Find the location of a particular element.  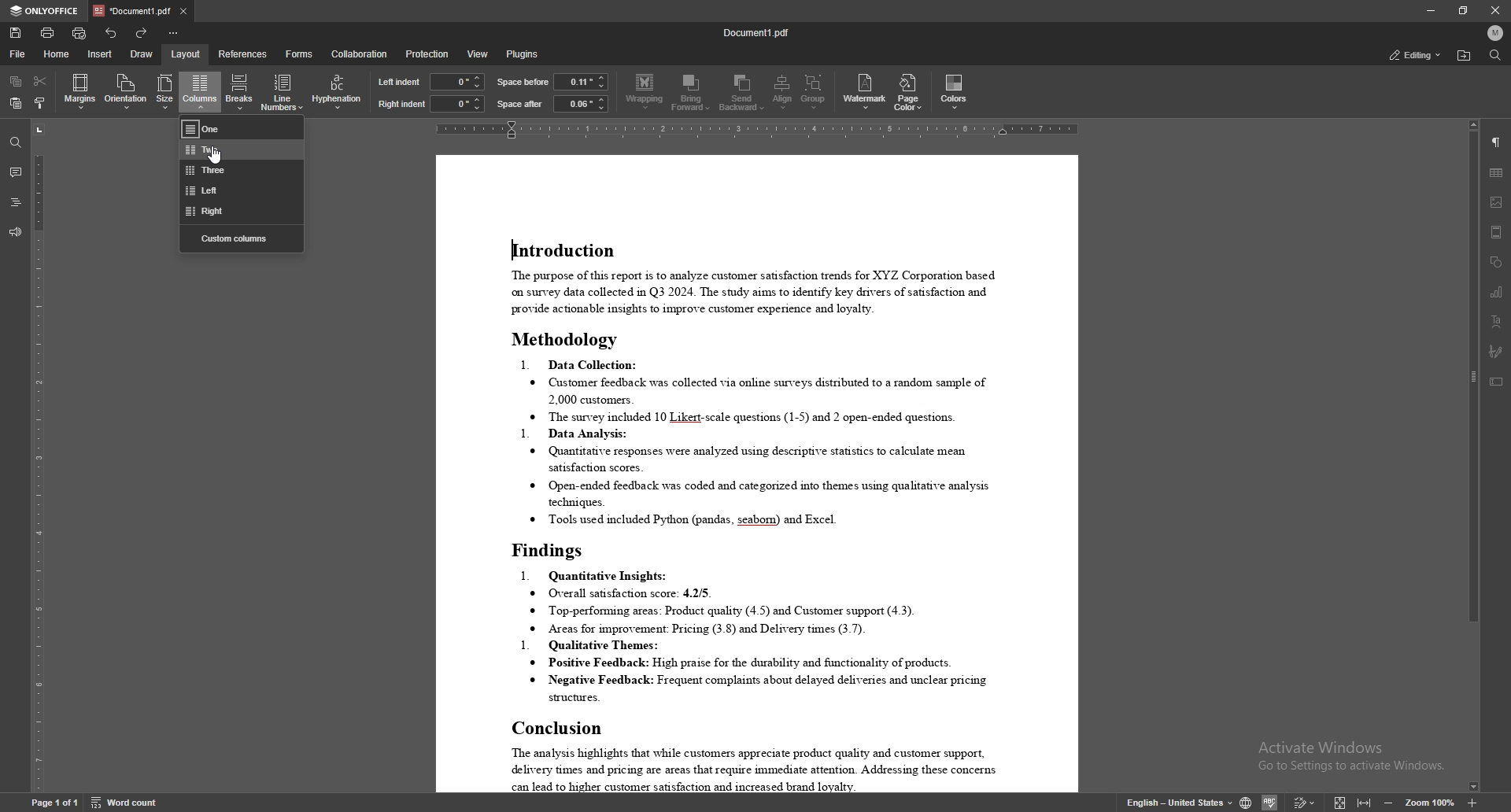

redo is located at coordinates (142, 32).